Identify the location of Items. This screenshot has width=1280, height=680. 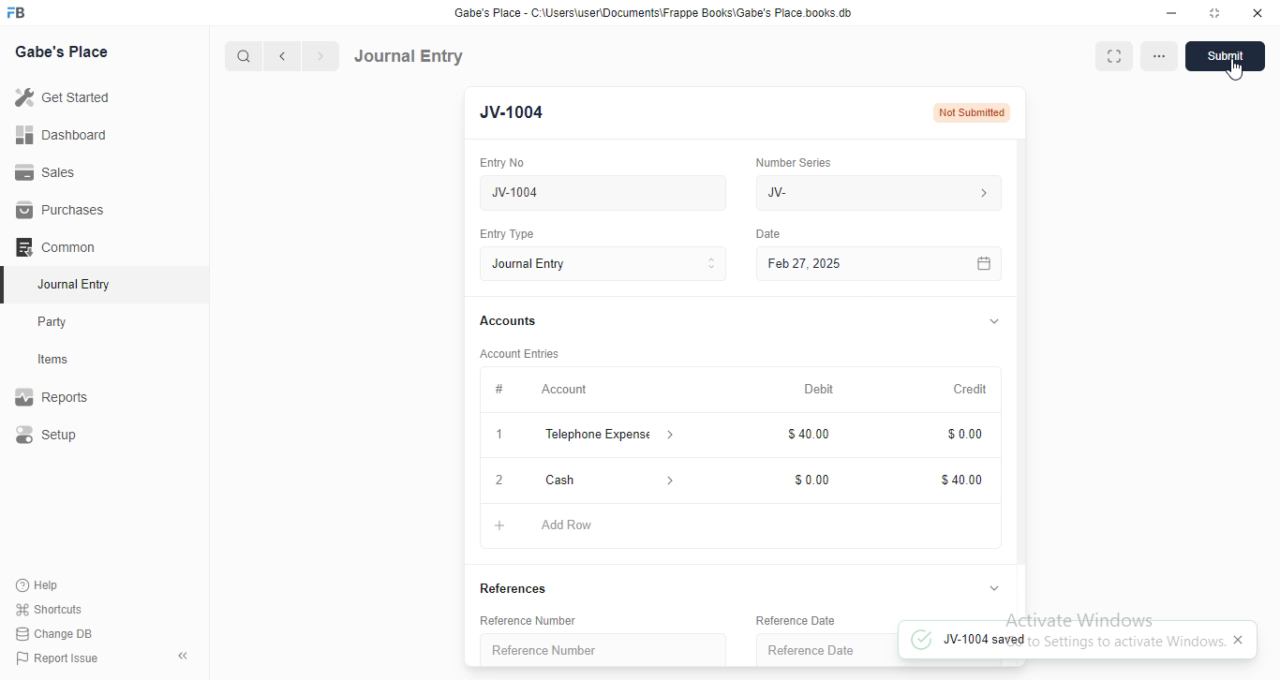
(55, 360).